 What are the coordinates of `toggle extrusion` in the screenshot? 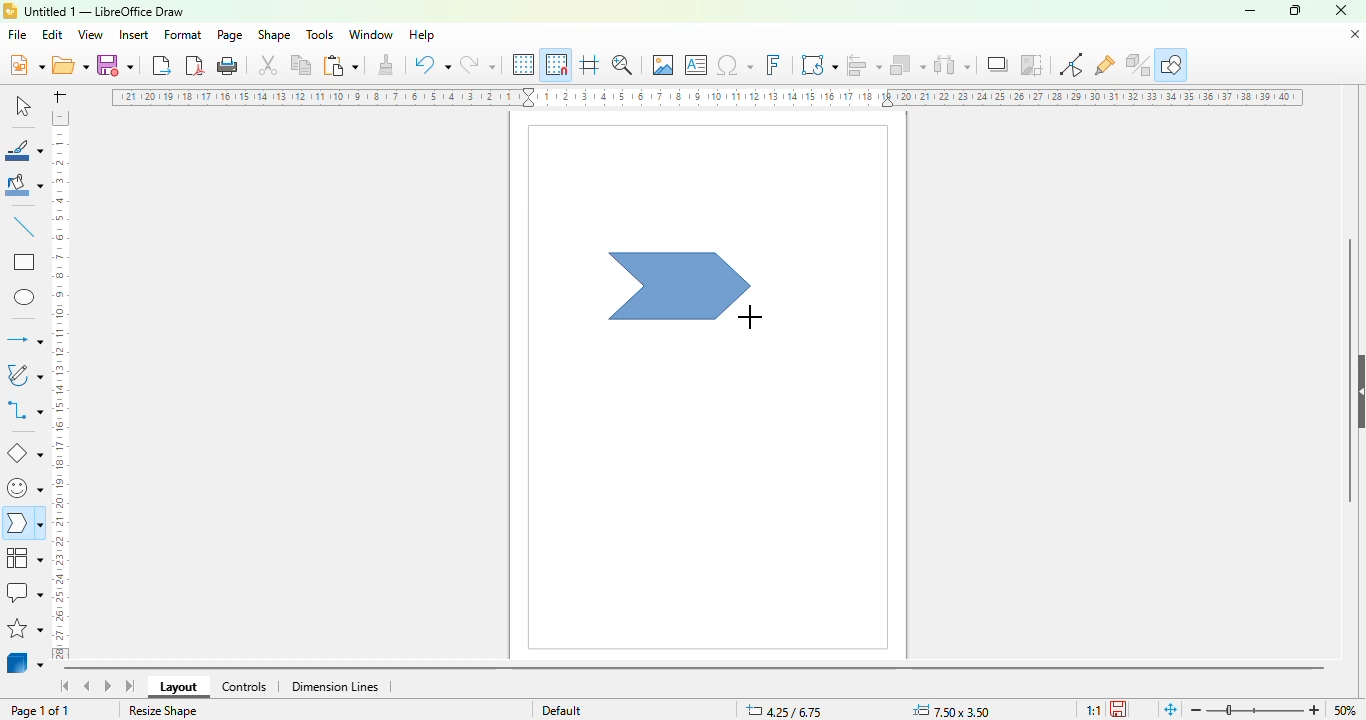 It's located at (1138, 65).